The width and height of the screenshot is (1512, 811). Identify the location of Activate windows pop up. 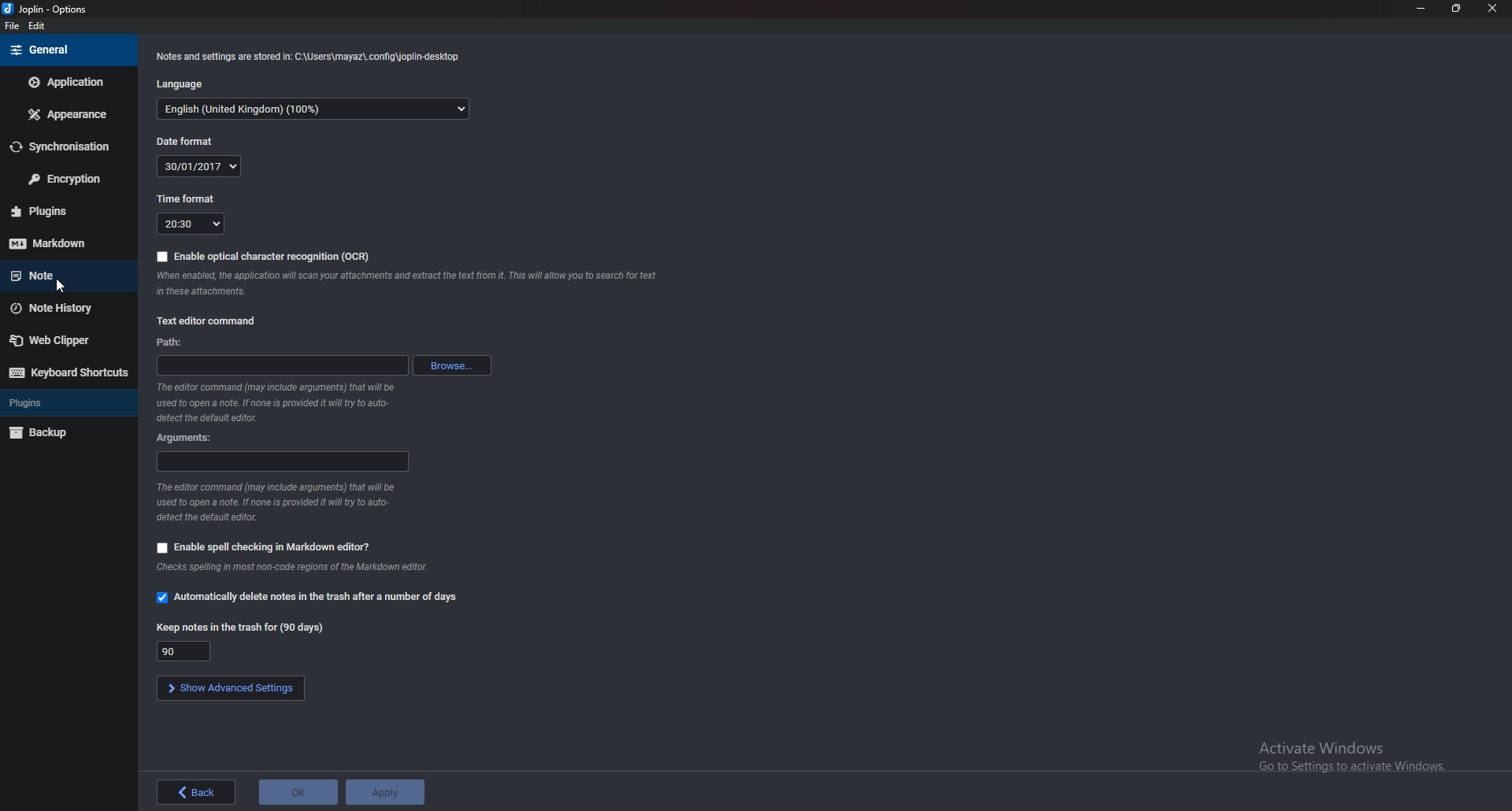
(1355, 757).